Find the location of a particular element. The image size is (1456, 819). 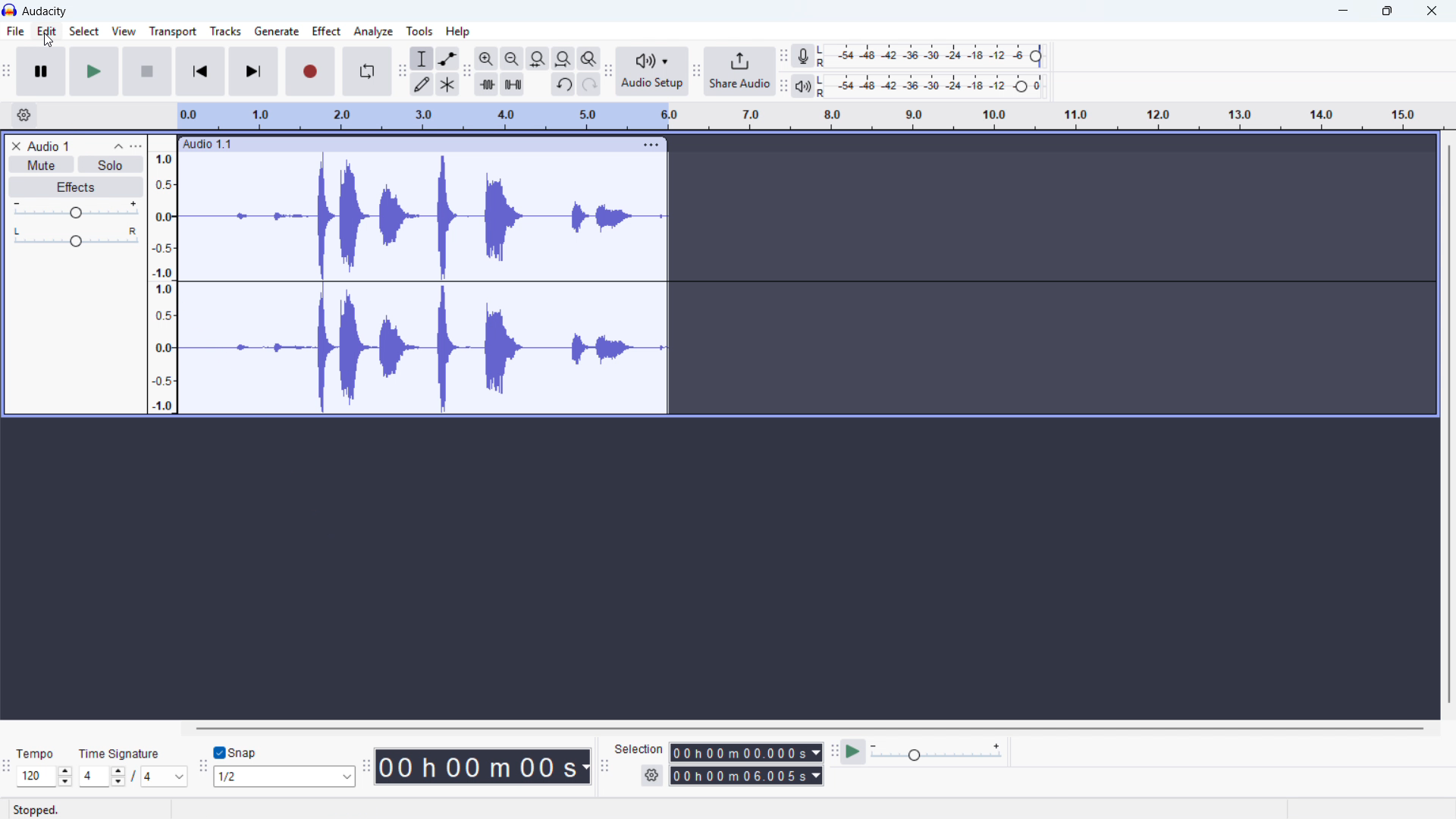

title is located at coordinates (45, 11).